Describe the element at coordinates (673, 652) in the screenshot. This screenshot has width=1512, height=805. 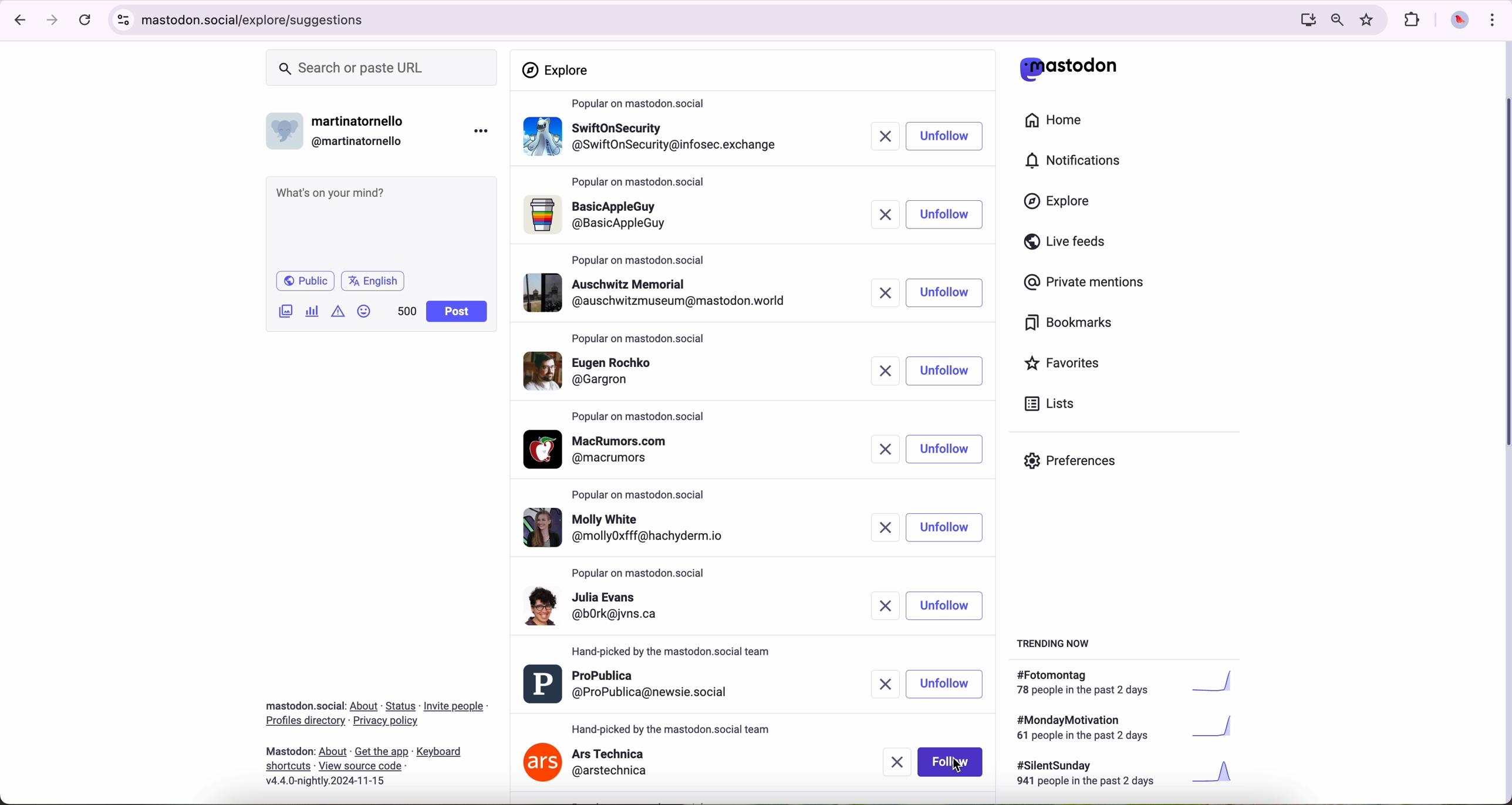
I see `popular on mastodon.social` at that location.